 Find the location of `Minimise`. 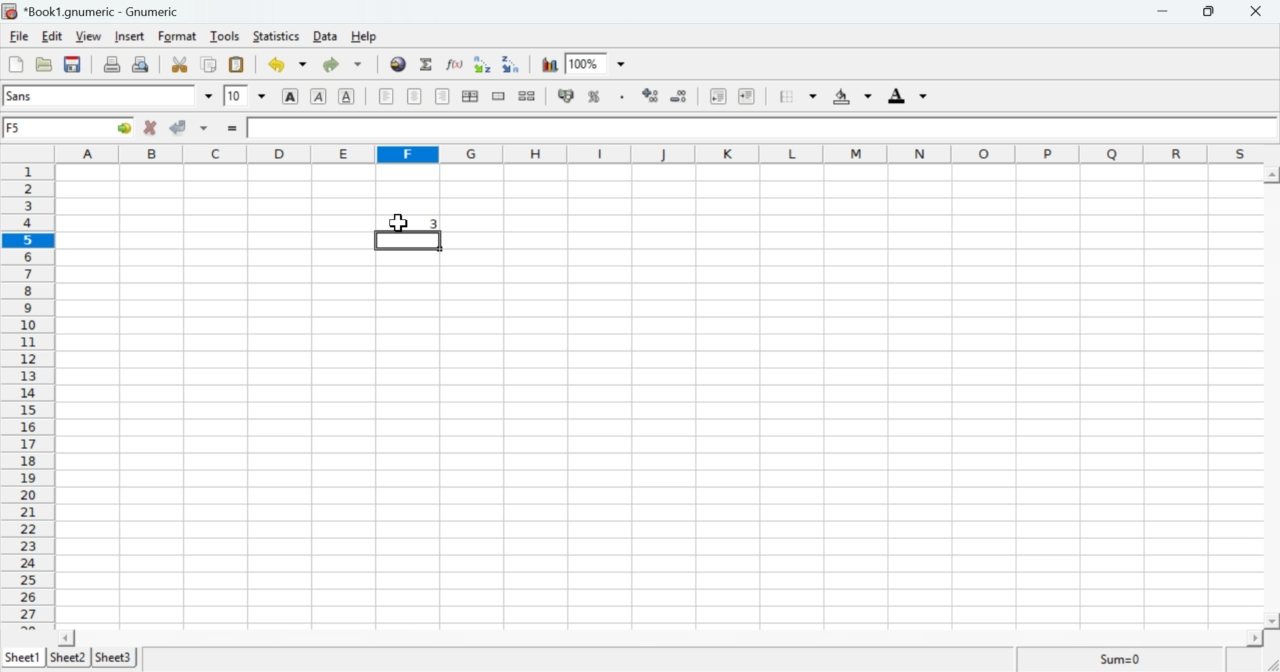

Minimise is located at coordinates (1160, 12).